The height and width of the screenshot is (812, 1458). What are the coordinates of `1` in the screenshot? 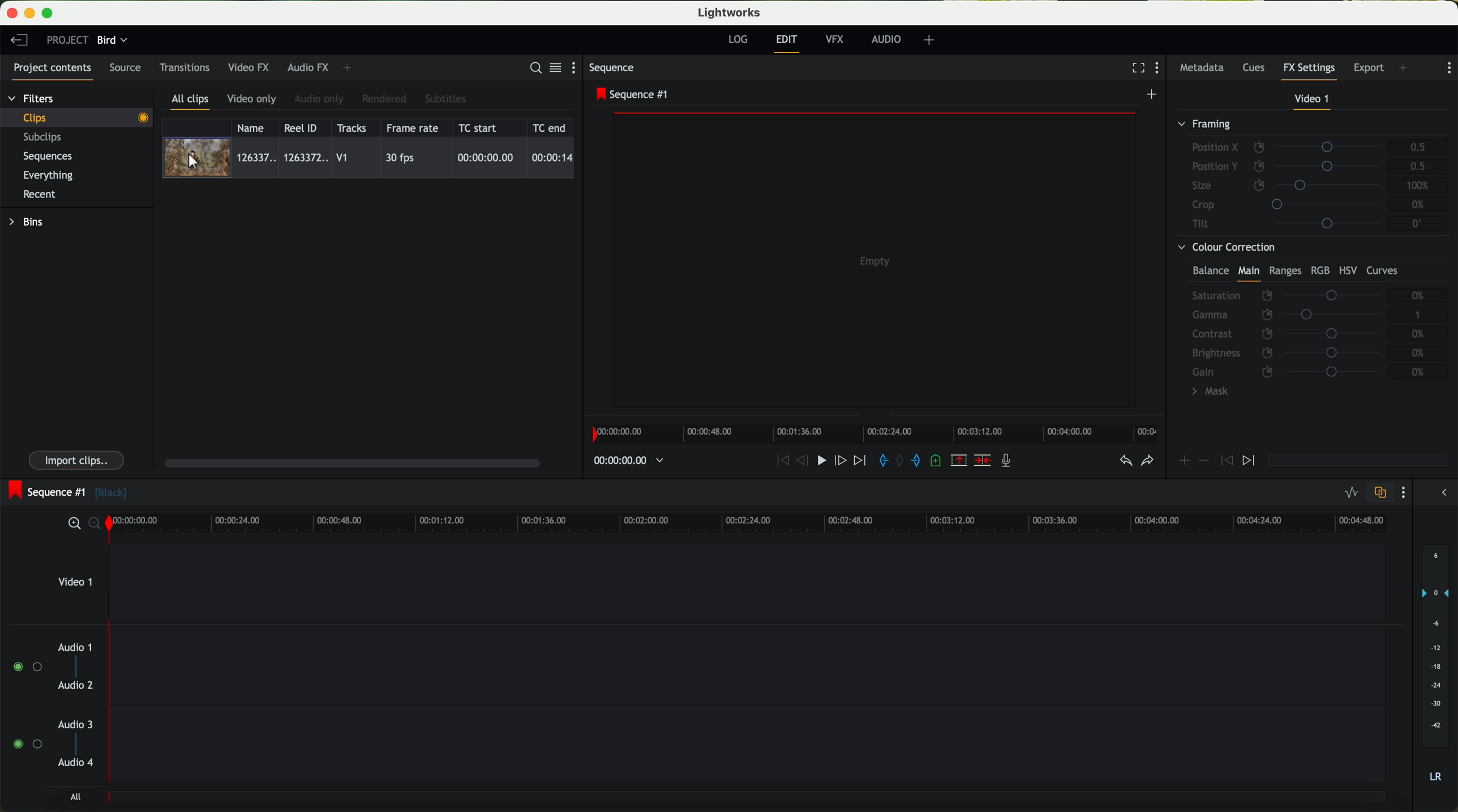 It's located at (1418, 316).